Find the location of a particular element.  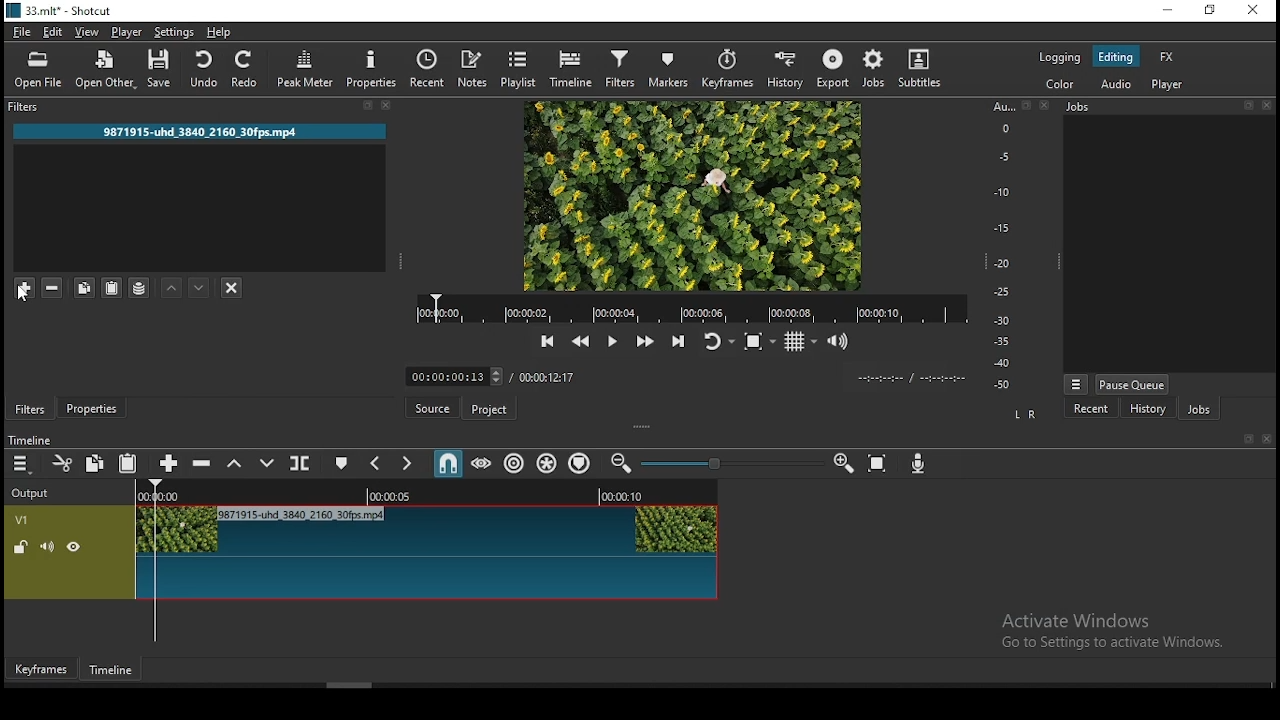

jobs is located at coordinates (874, 67).